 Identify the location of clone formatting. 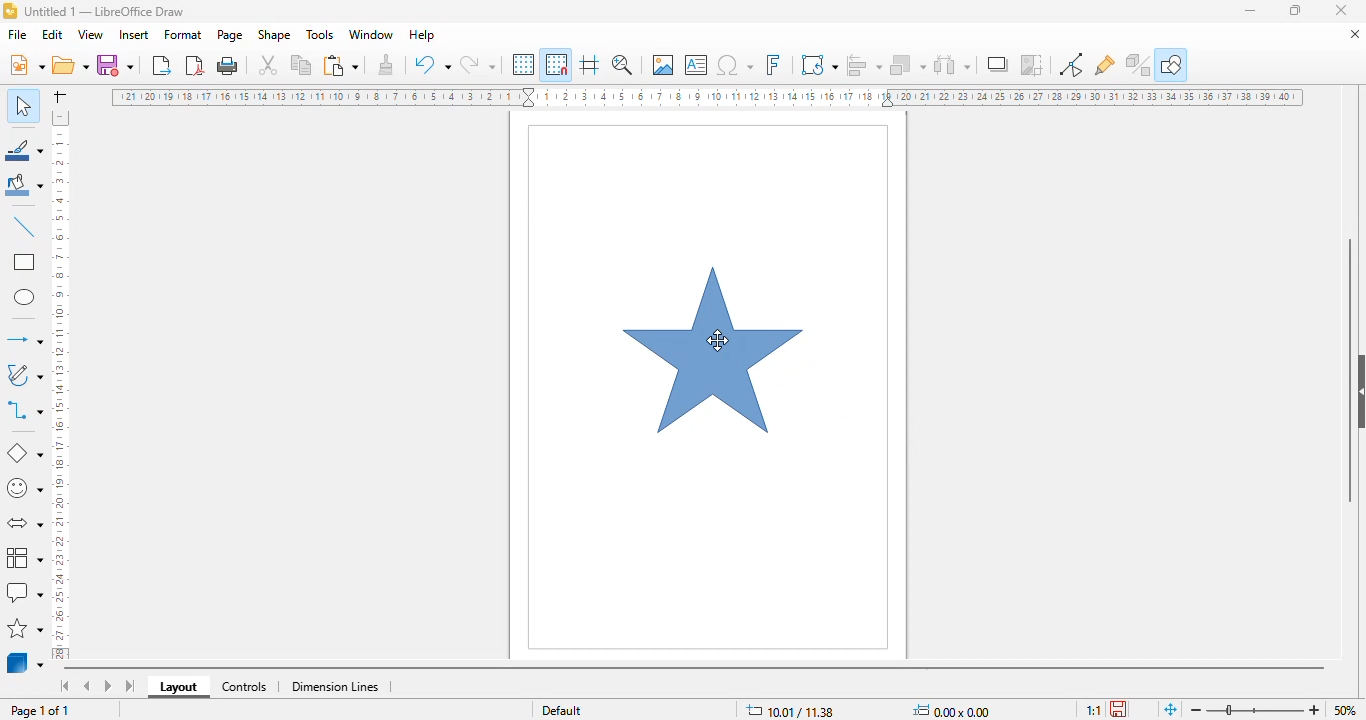
(385, 65).